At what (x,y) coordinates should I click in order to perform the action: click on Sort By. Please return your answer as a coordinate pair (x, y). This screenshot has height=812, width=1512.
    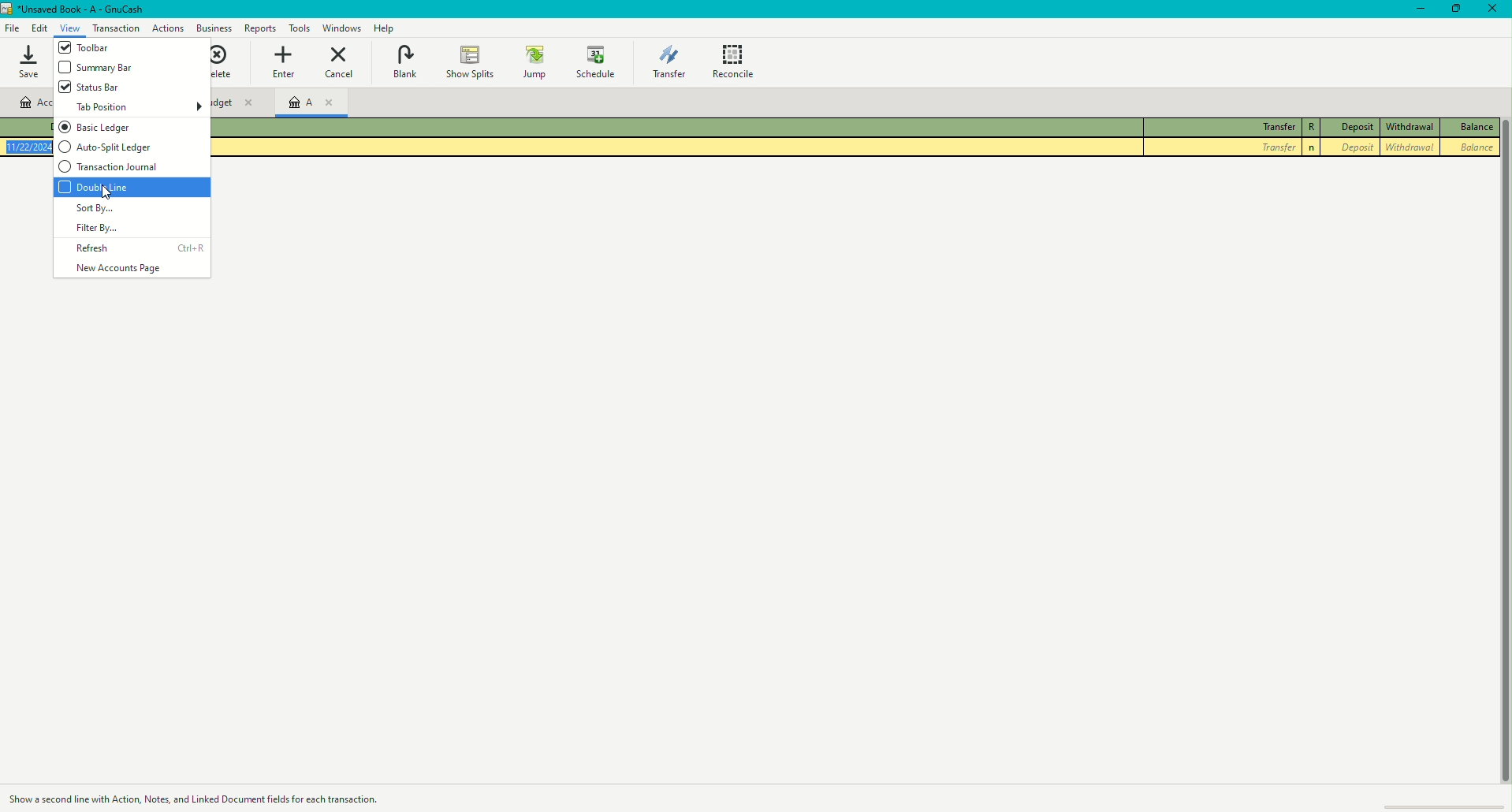
    Looking at the image, I should click on (134, 209).